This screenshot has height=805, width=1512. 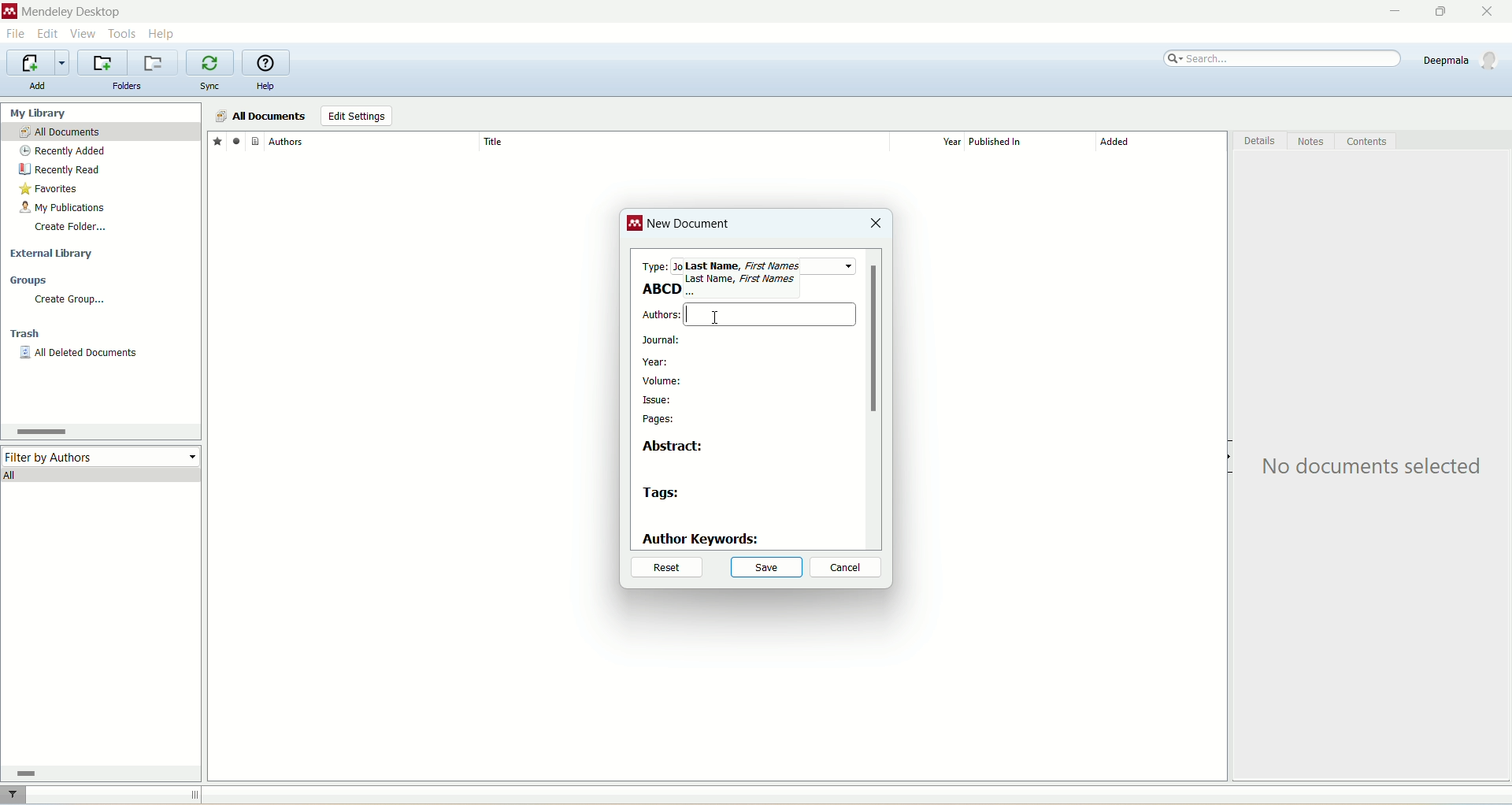 What do you see at coordinates (102, 455) in the screenshot?
I see `filter by author` at bounding box center [102, 455].